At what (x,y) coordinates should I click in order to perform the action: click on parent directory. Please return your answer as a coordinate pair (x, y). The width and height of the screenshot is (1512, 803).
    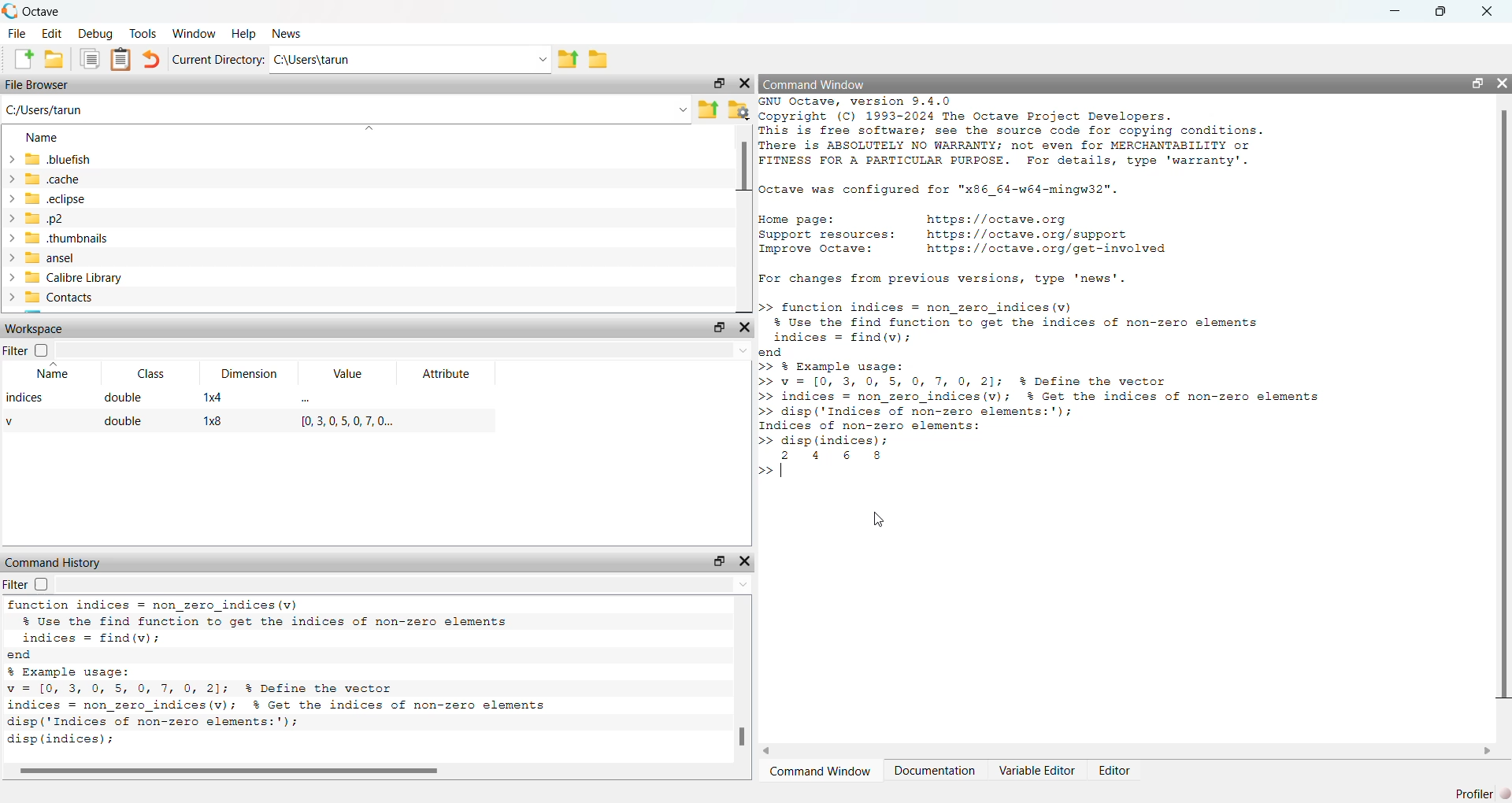
    Looking at the image, I should click on (569, 58).